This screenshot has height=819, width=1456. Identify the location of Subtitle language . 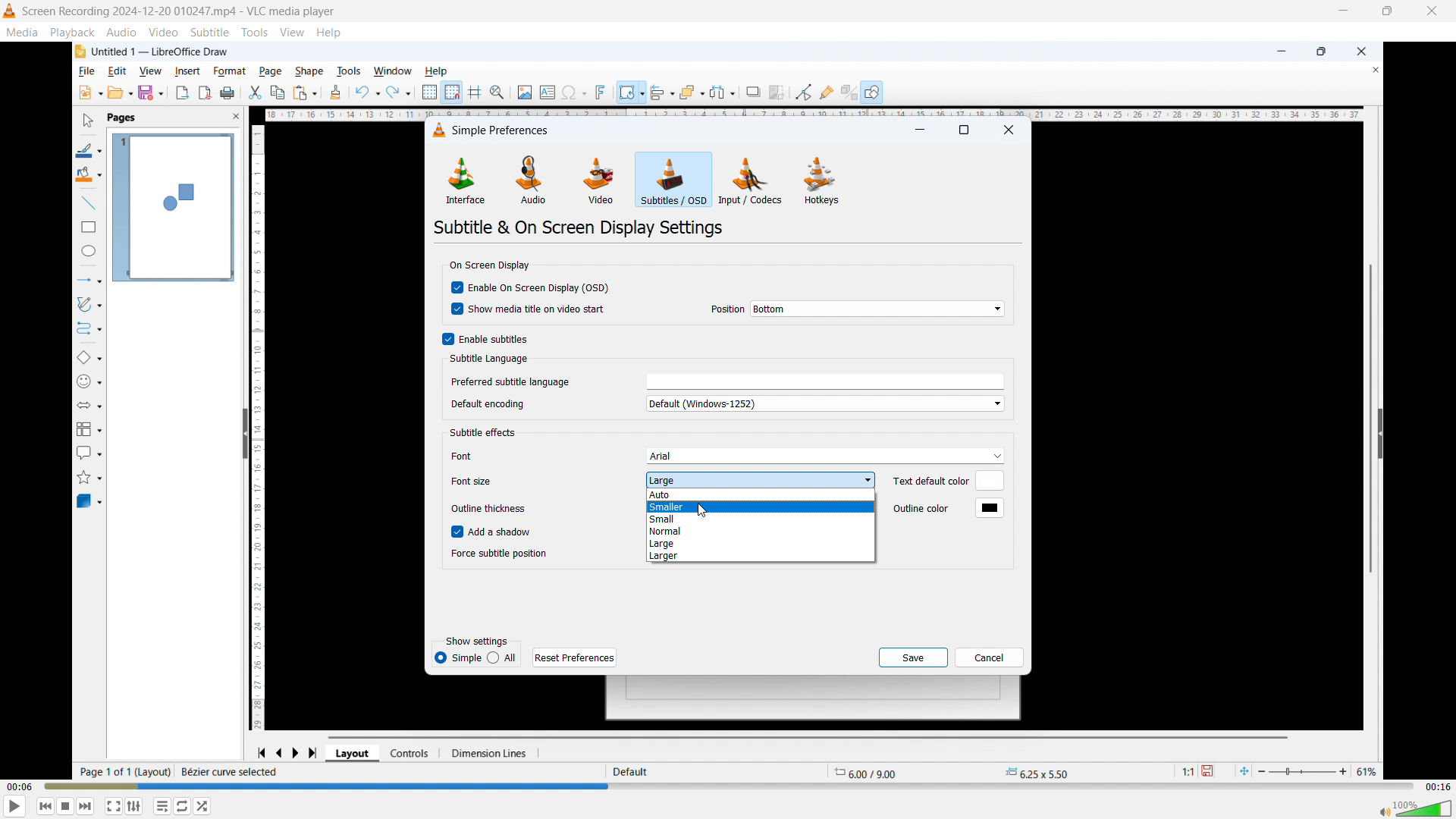
(489, 359).